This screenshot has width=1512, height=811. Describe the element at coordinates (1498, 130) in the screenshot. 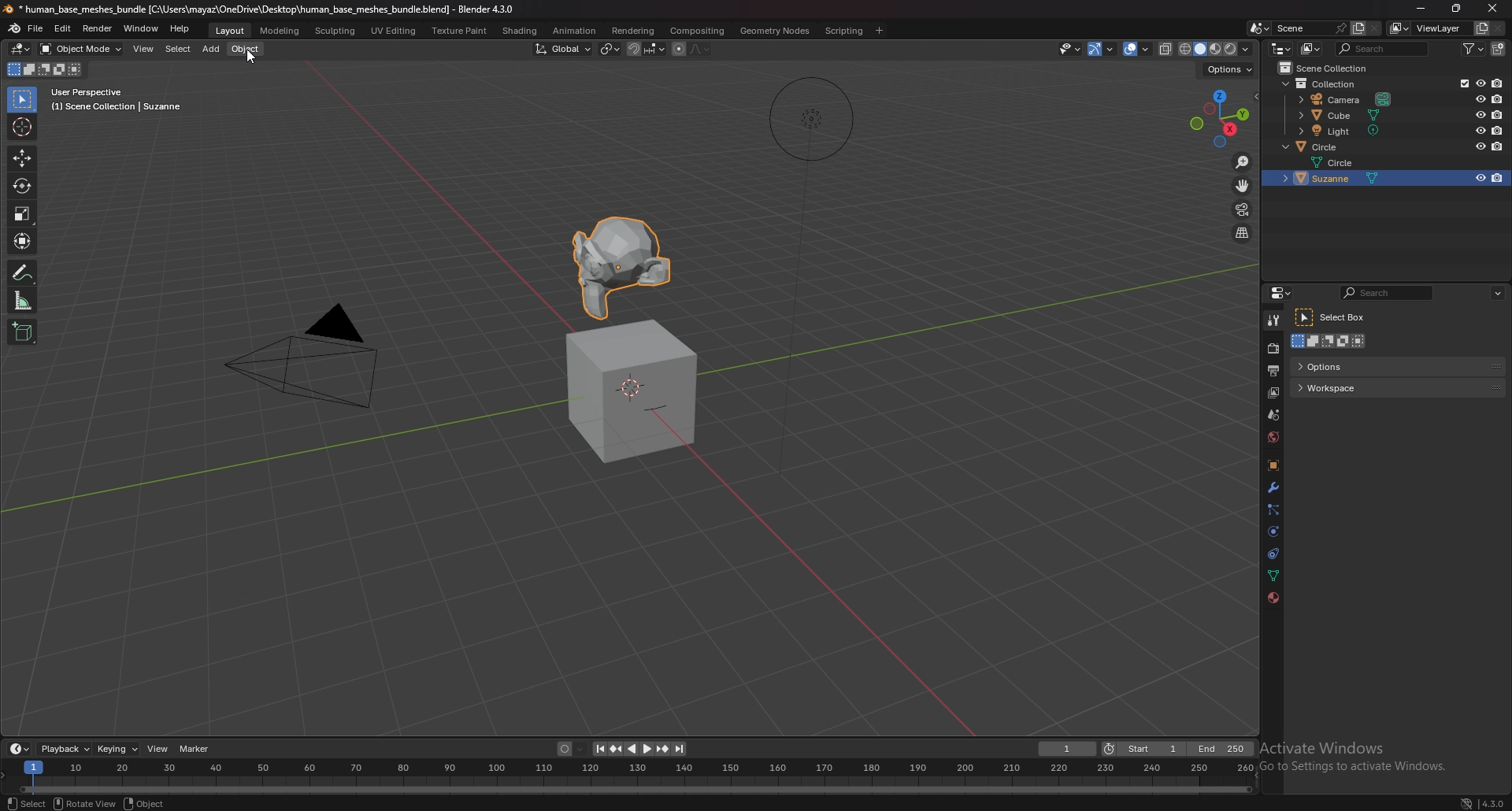

I see `disable in renders` at that location.